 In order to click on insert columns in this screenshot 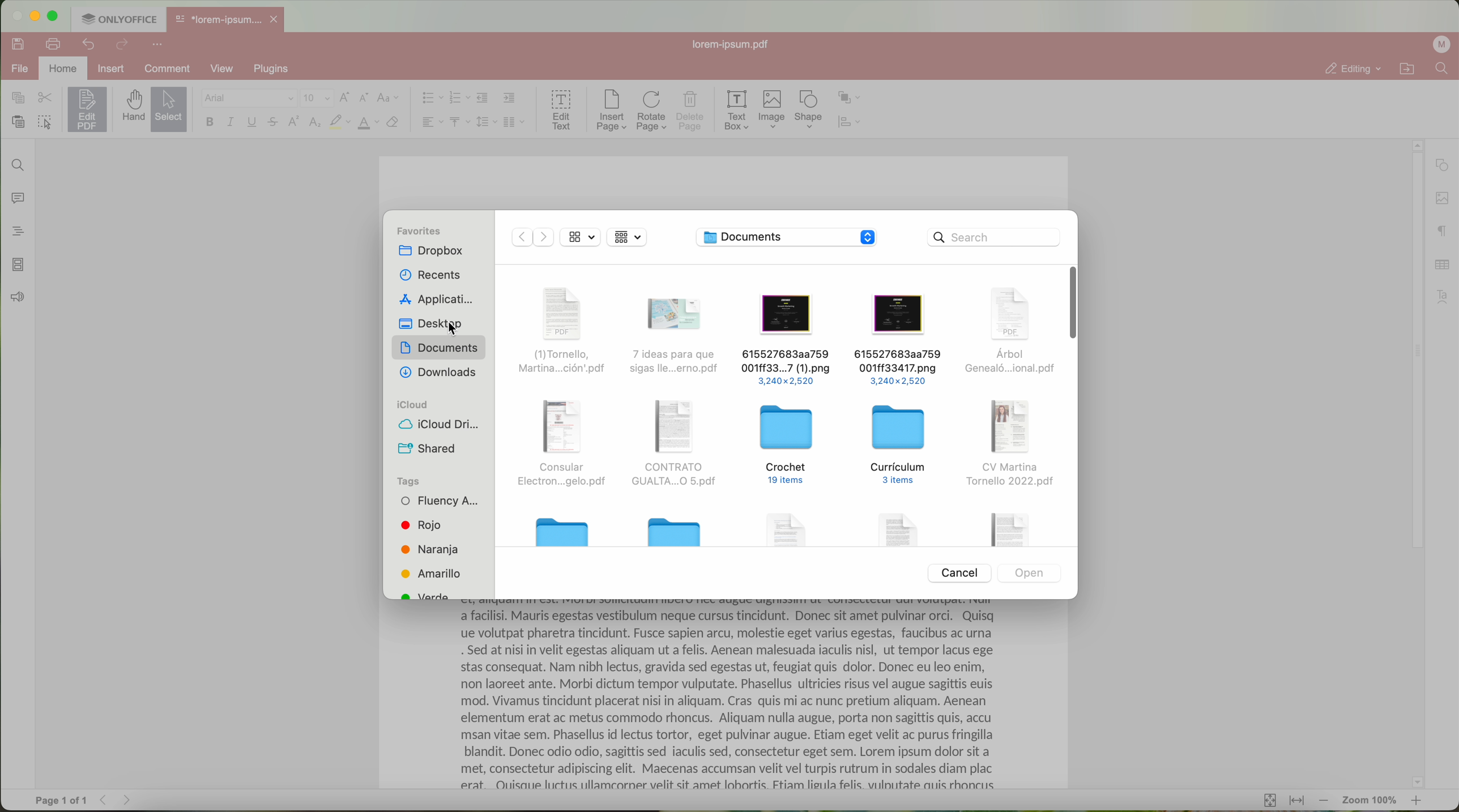, I will do `click(515, 123)`.